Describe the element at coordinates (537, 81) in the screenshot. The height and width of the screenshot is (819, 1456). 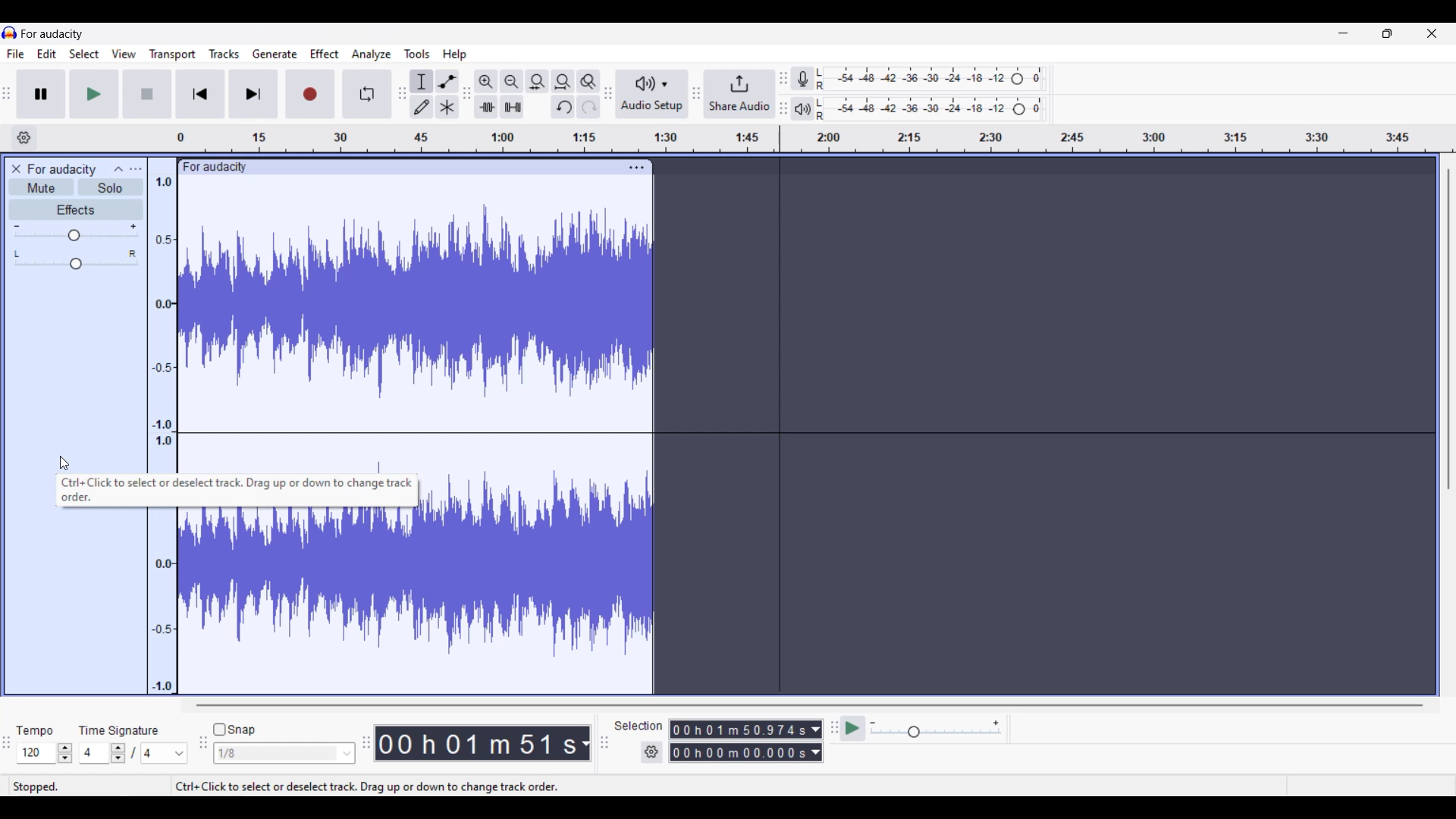
I see `Fit selection to width` at that location.